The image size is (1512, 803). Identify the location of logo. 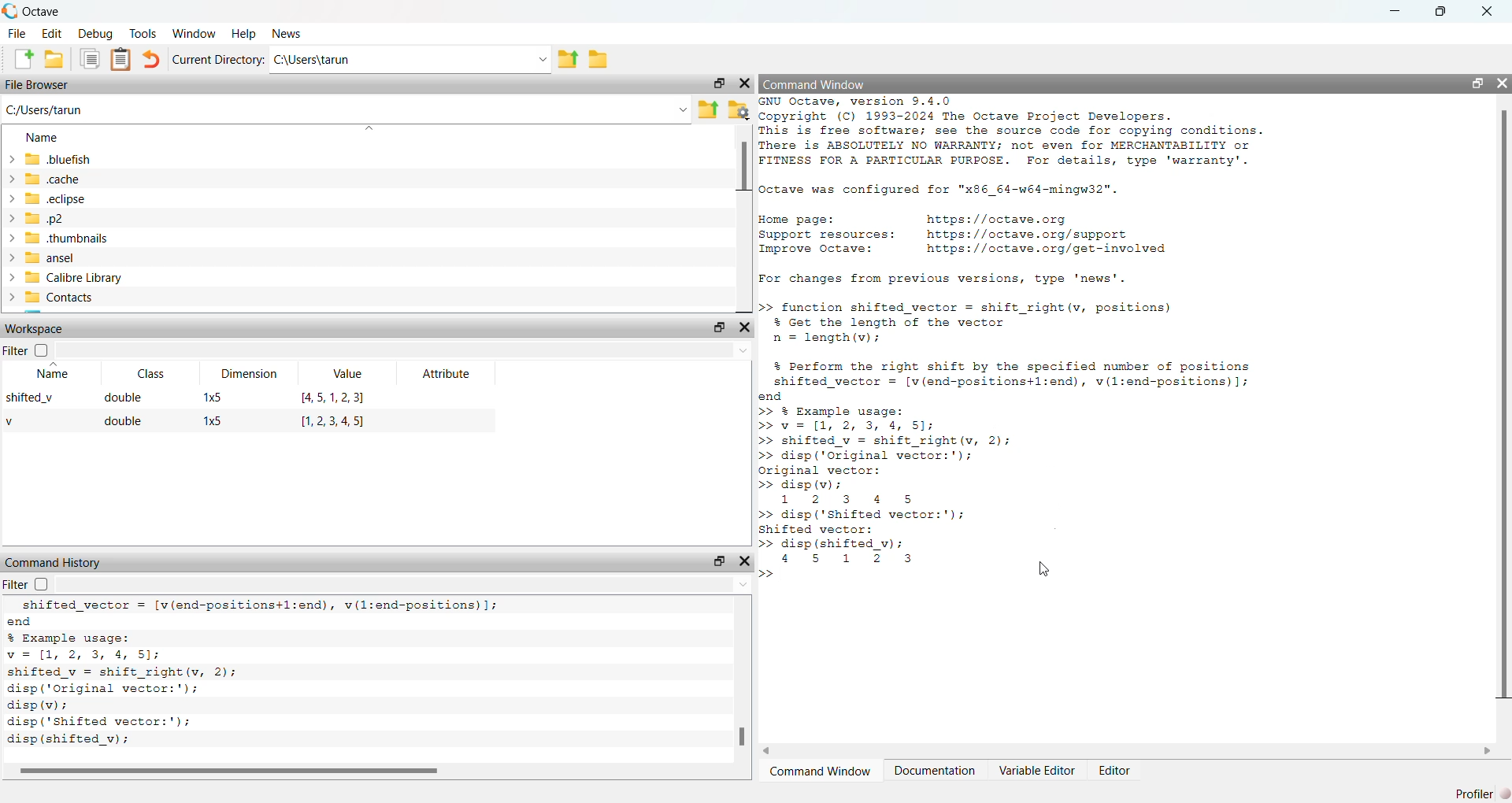
(10, 10).